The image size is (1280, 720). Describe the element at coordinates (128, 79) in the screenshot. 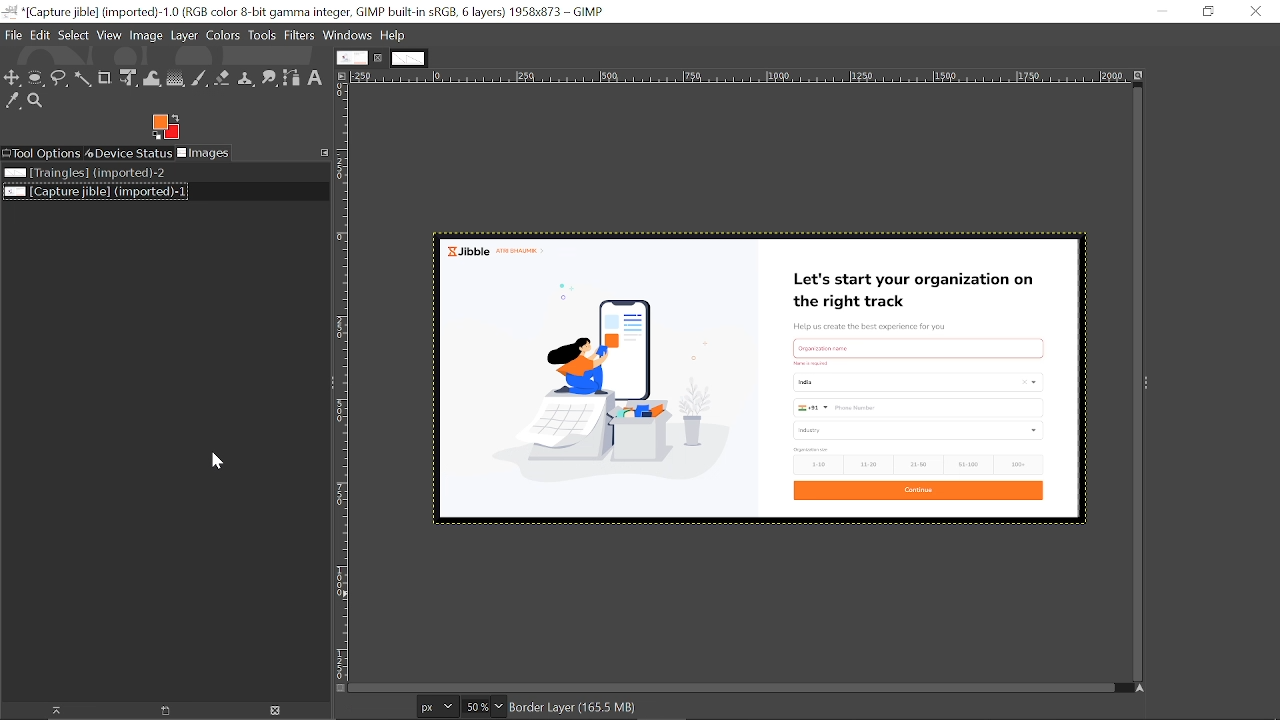

I see `Unified transform tool` at that location.